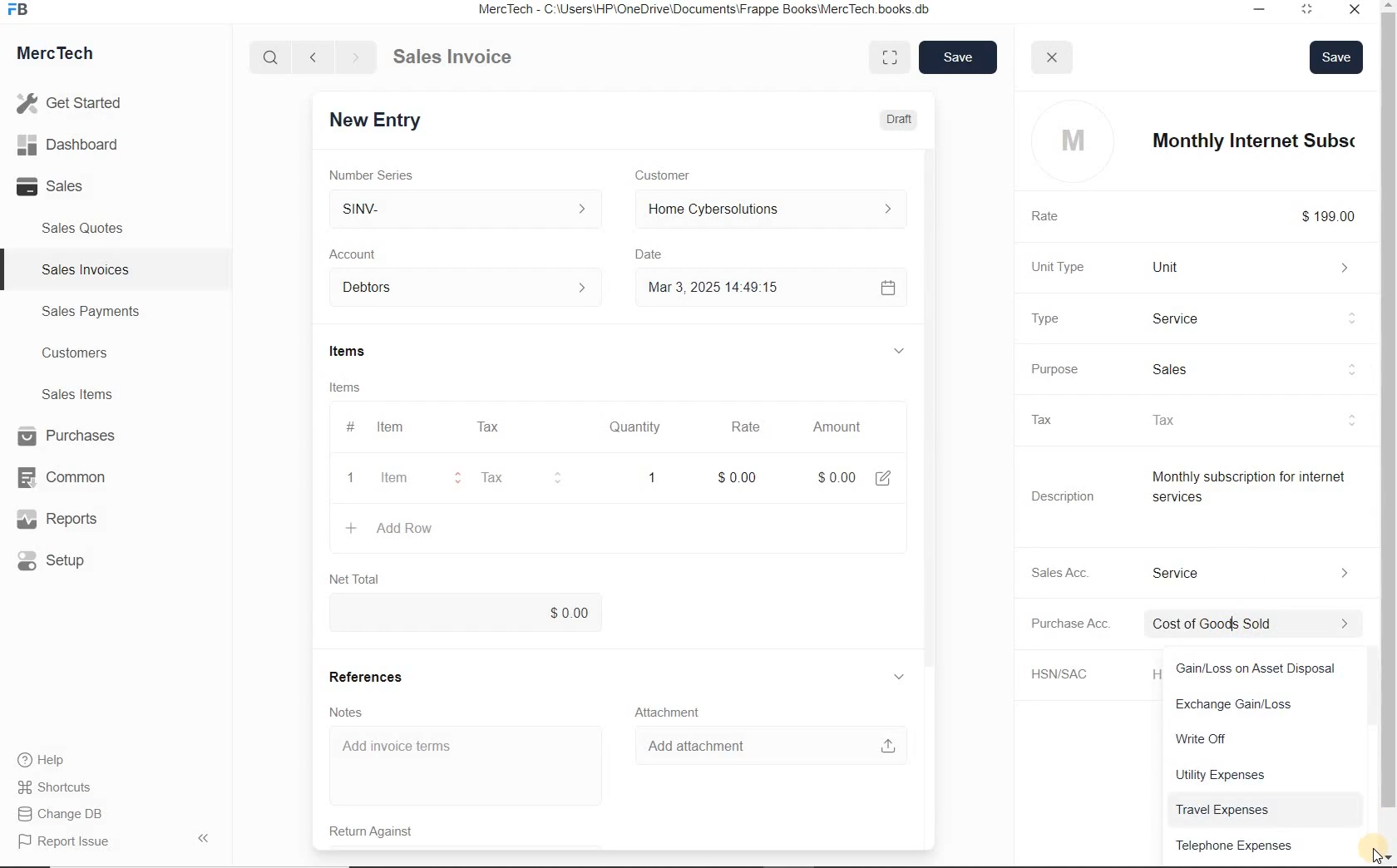 The width and height of the screenshot is (1397, 868). I want to click on Toggle between form and full width, so click(890, 56).